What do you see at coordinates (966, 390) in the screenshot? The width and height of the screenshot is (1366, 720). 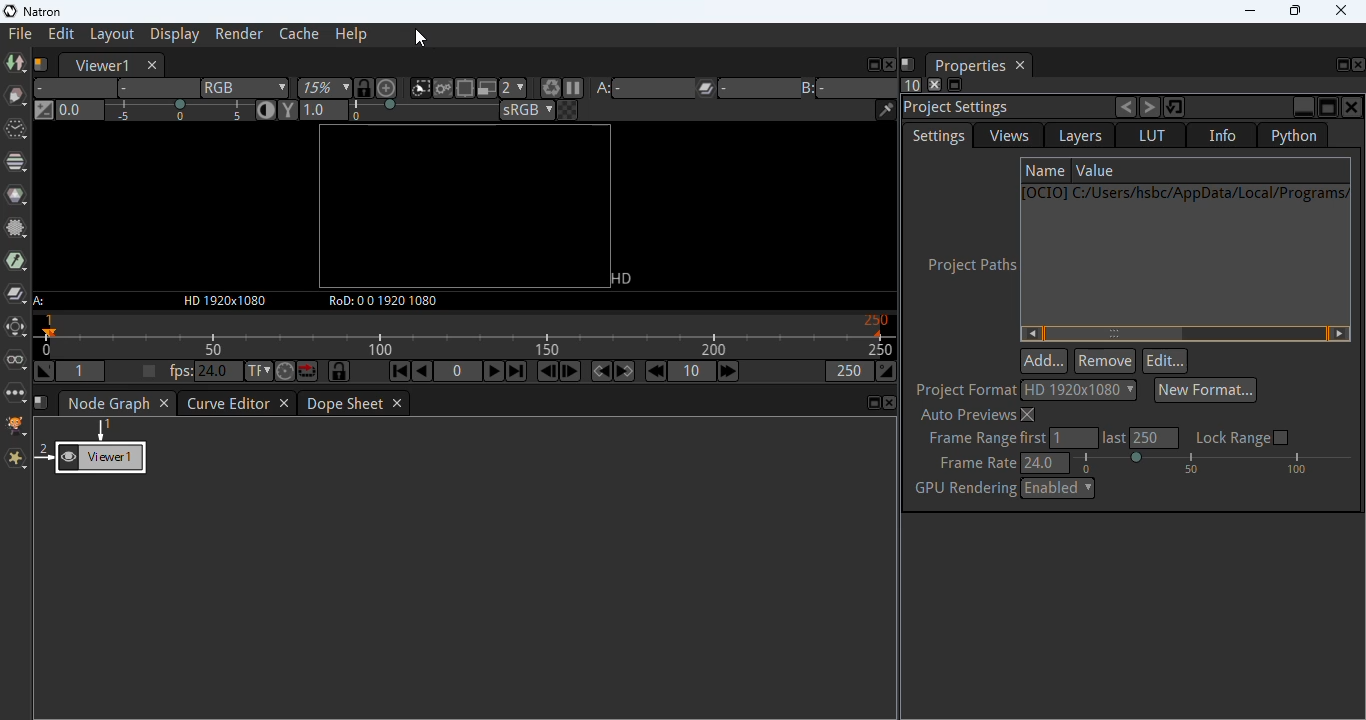 I see `project format` at bounding box center [966, 390].